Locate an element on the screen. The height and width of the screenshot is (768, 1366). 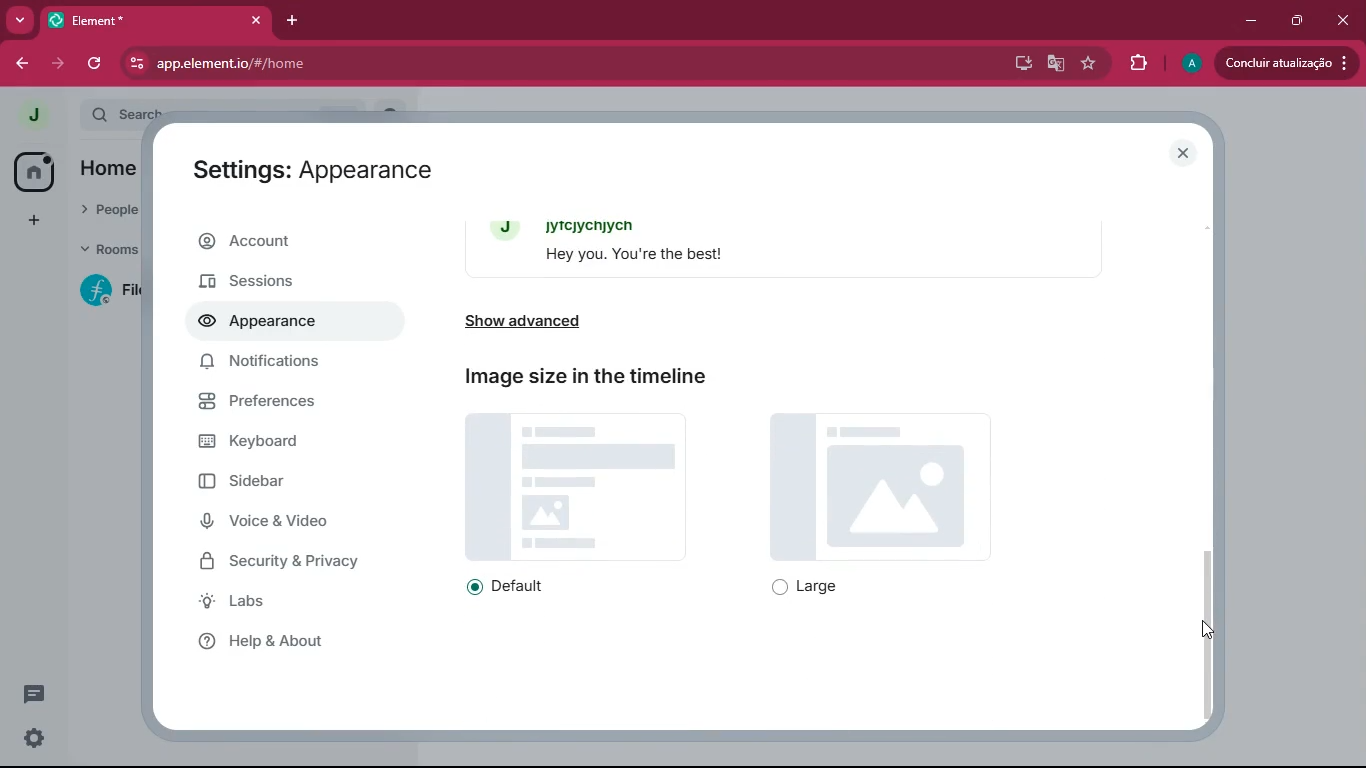
add tab is located at coordinates (297, 23).